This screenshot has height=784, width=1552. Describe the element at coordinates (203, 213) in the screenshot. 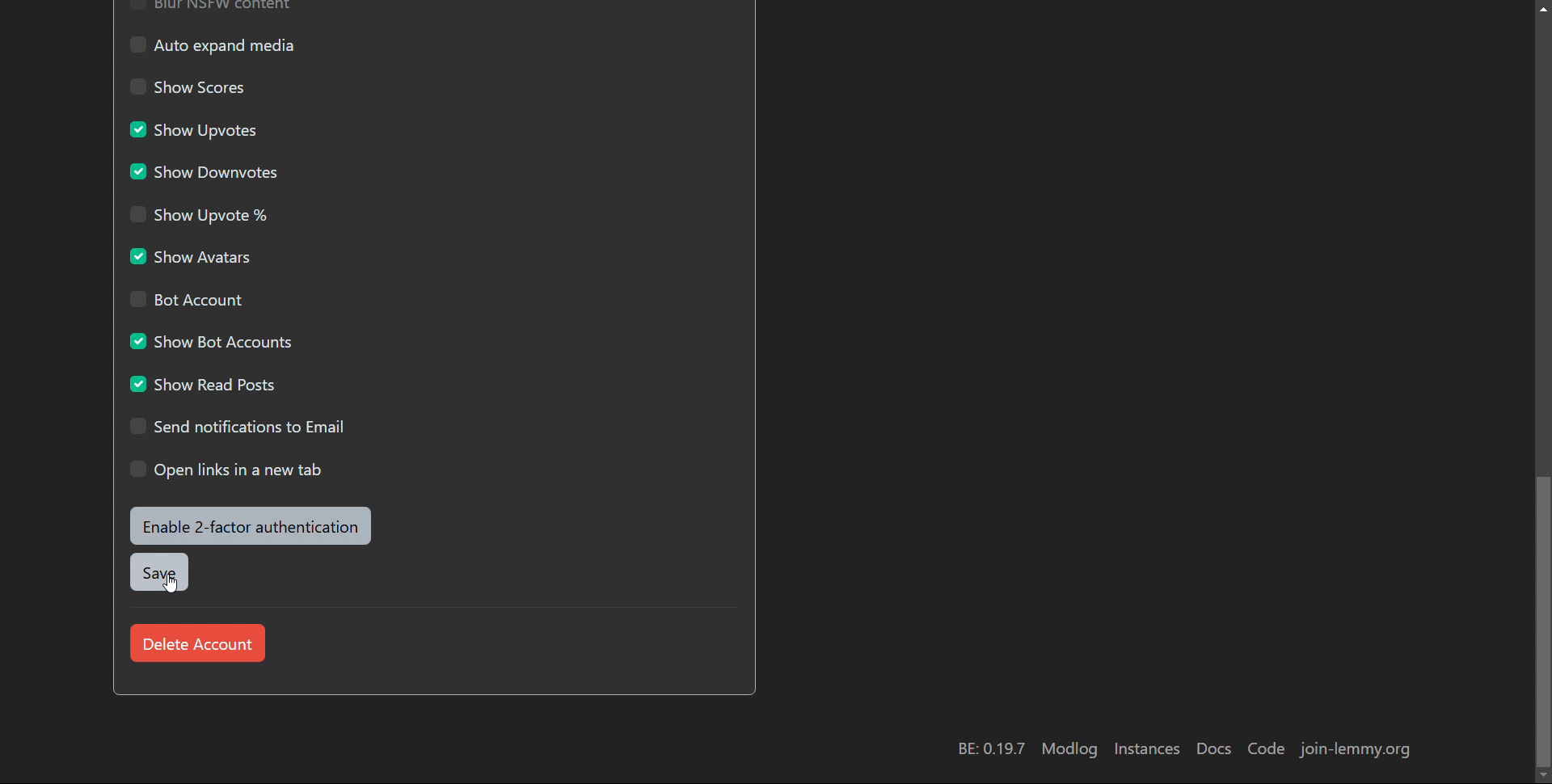

I see `show upvote %` at that location.